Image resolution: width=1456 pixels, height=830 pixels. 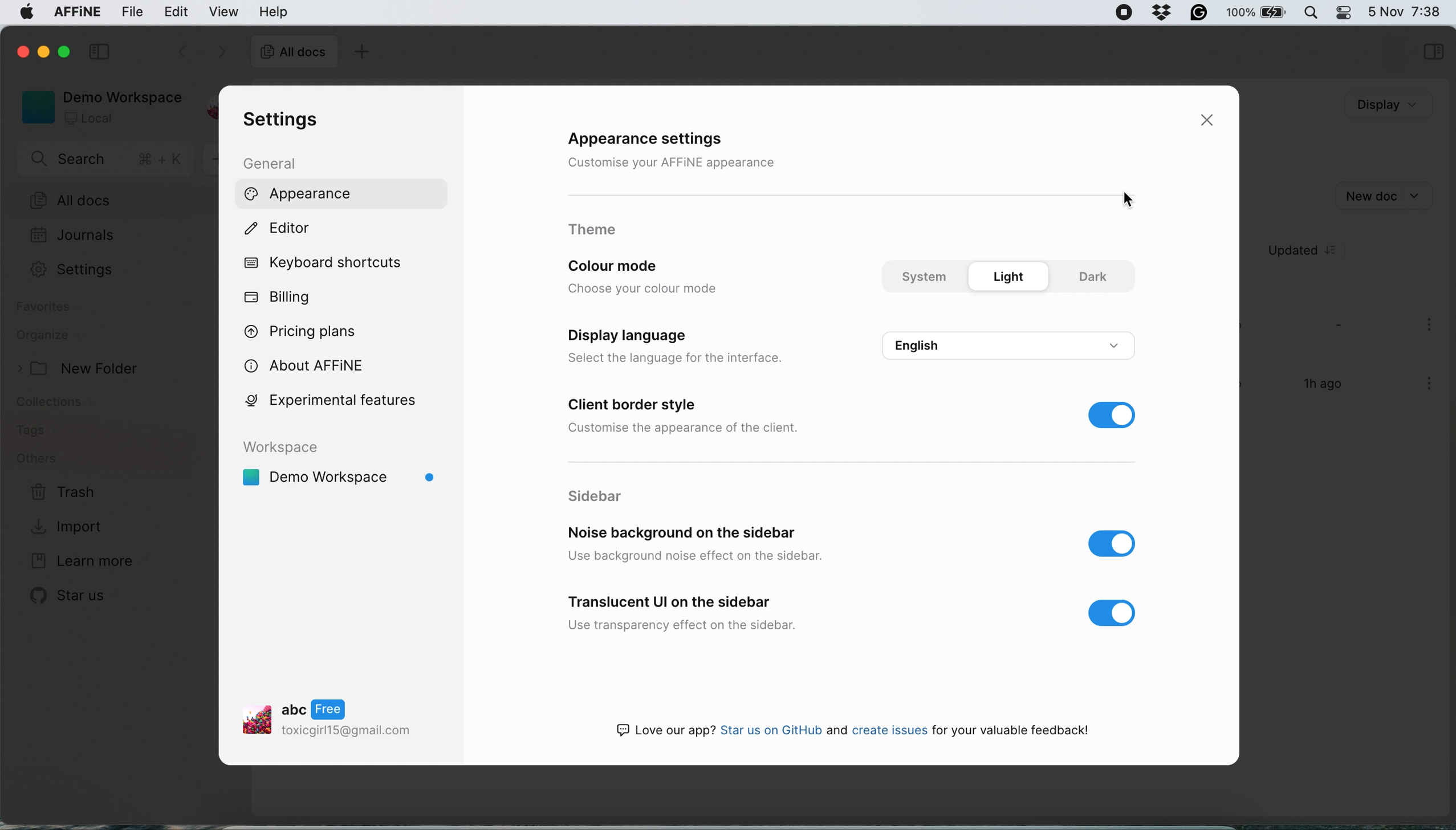 I want to click on general, so click(x=274, y=164).